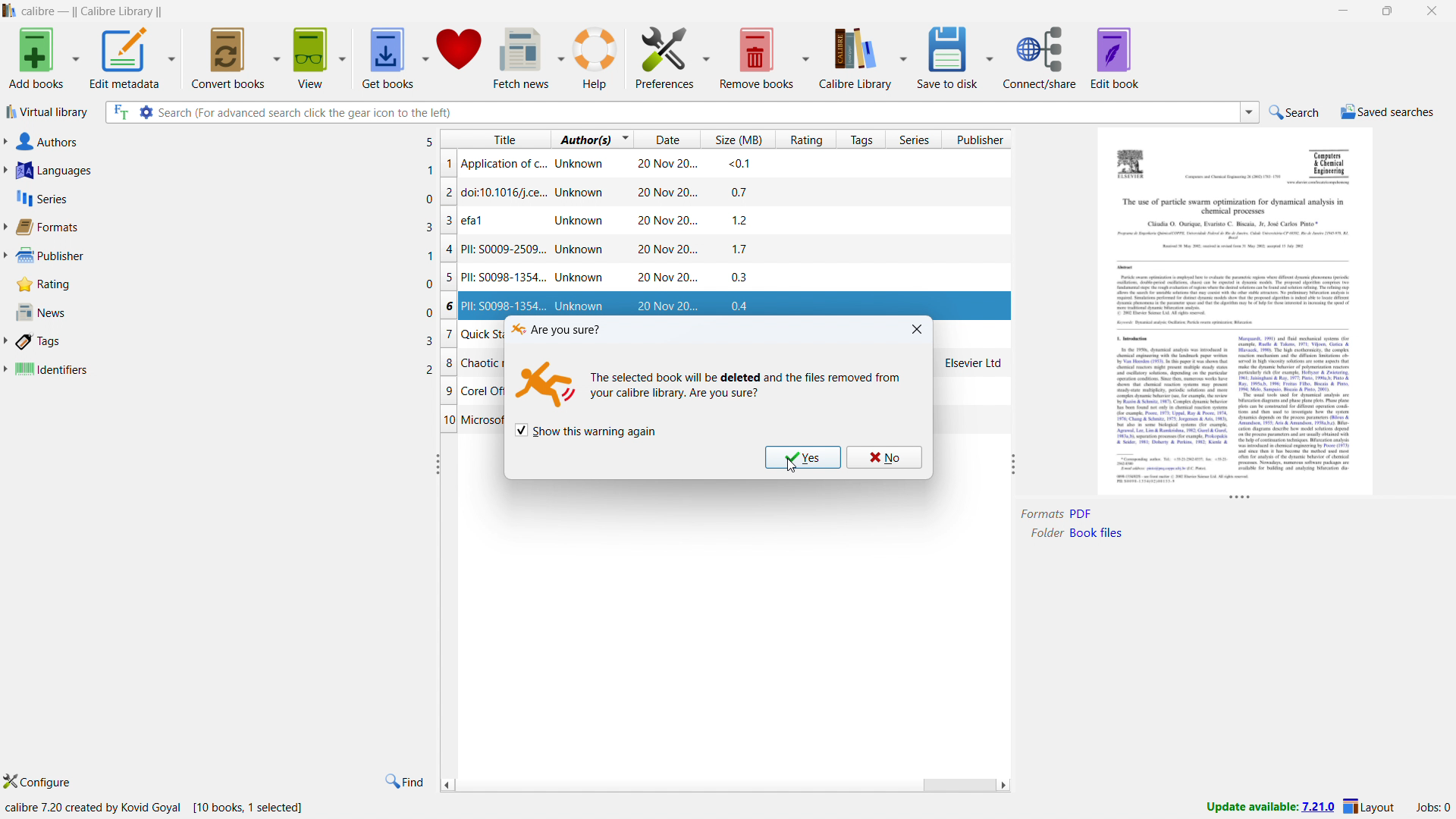 The height and width of the screenshot is (819, 1456). Describe the element at coordinates (1318, 808) in the screenshot. I see `7.21.0` at that location.